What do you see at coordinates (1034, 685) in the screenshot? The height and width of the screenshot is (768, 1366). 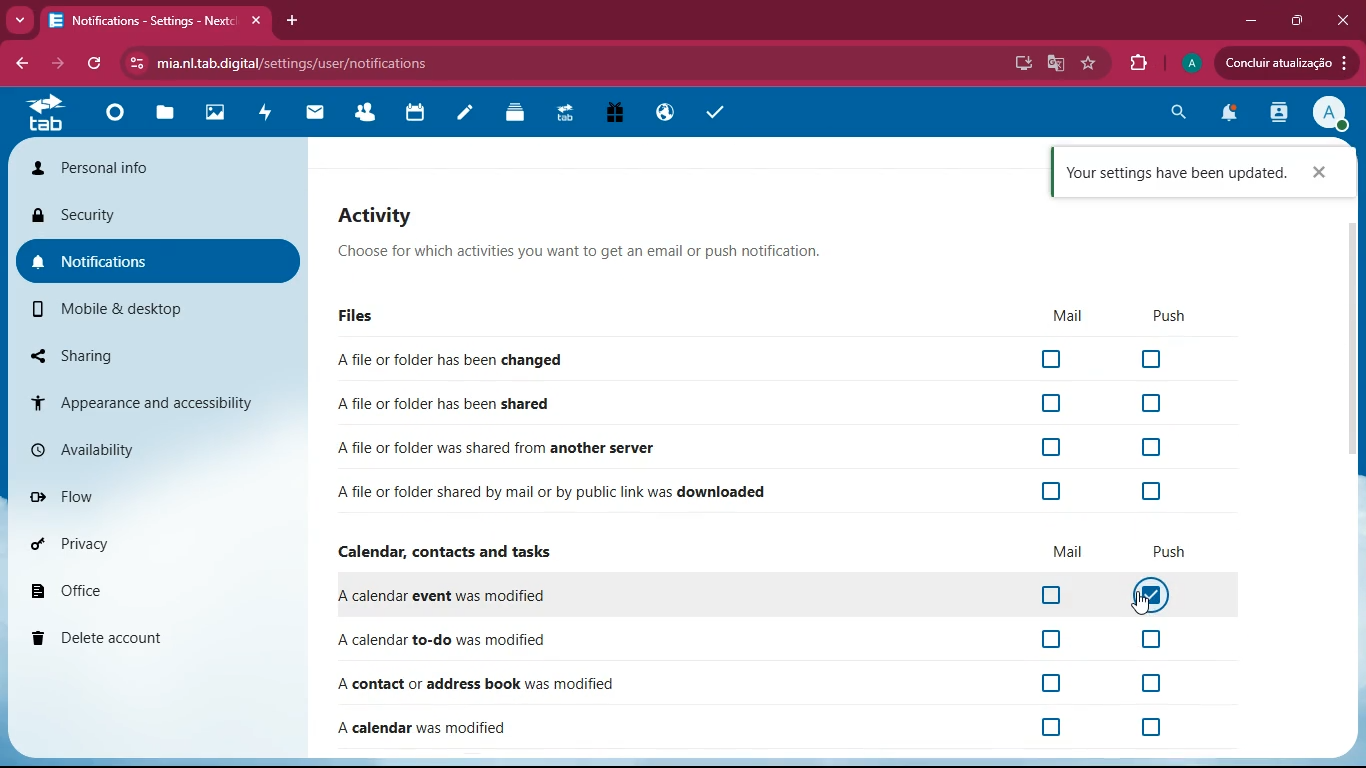 I see `off` at bounding box center [1034, 685].